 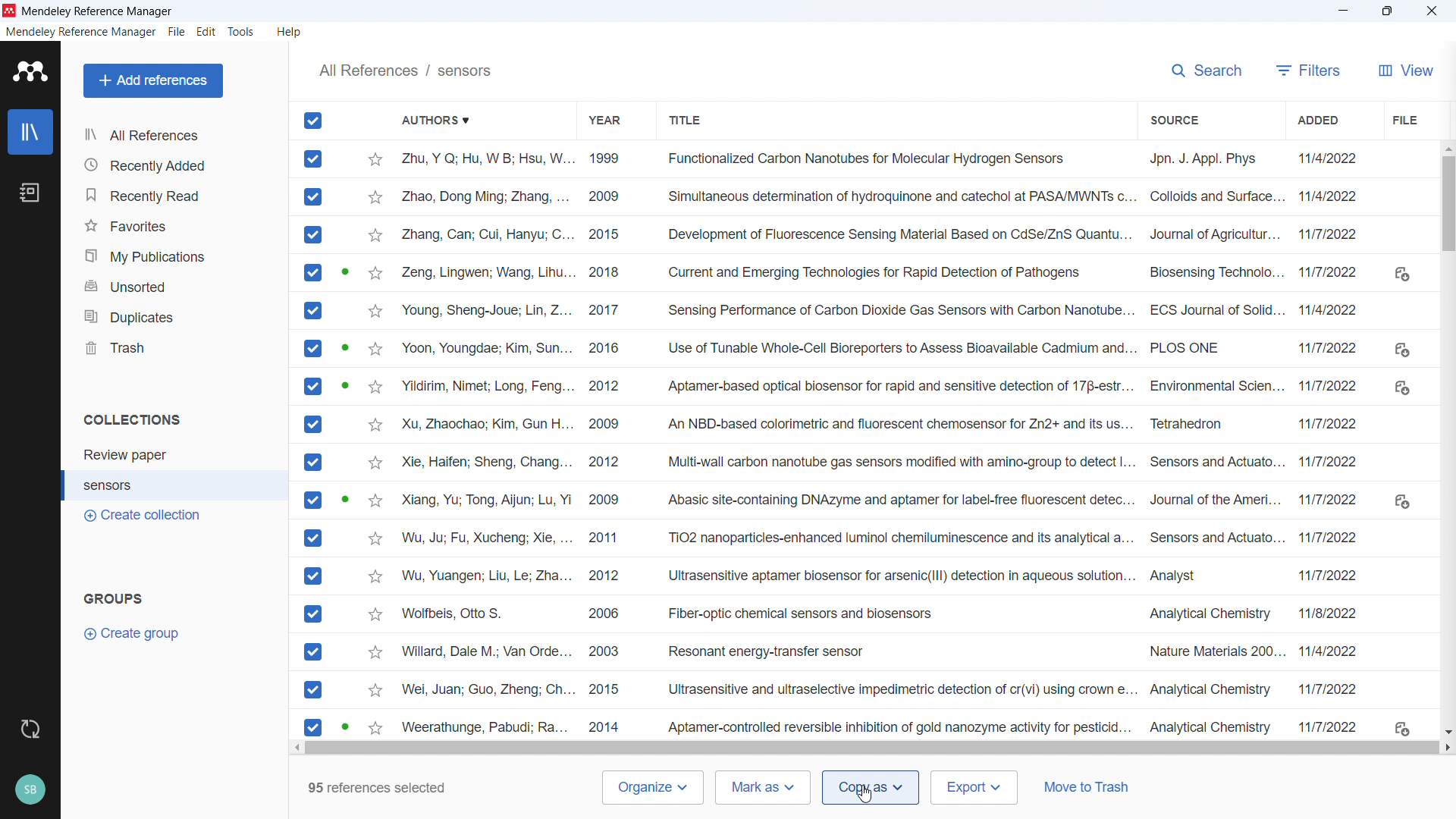 I want to click on trash, so click(x=173, y=347).